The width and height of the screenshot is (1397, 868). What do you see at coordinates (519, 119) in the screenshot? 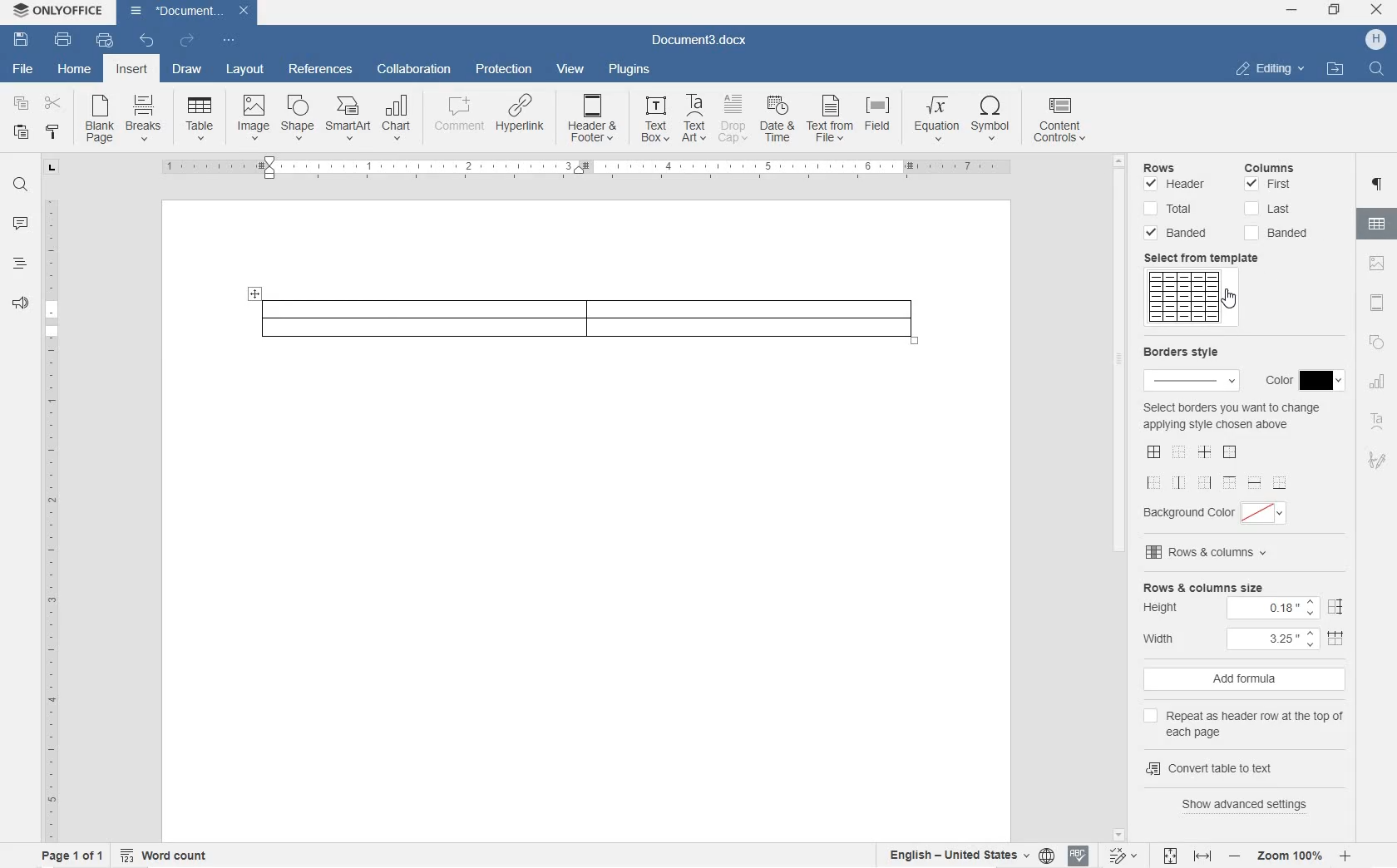
I see `Hyperlink` at bounding box center [519, 119].